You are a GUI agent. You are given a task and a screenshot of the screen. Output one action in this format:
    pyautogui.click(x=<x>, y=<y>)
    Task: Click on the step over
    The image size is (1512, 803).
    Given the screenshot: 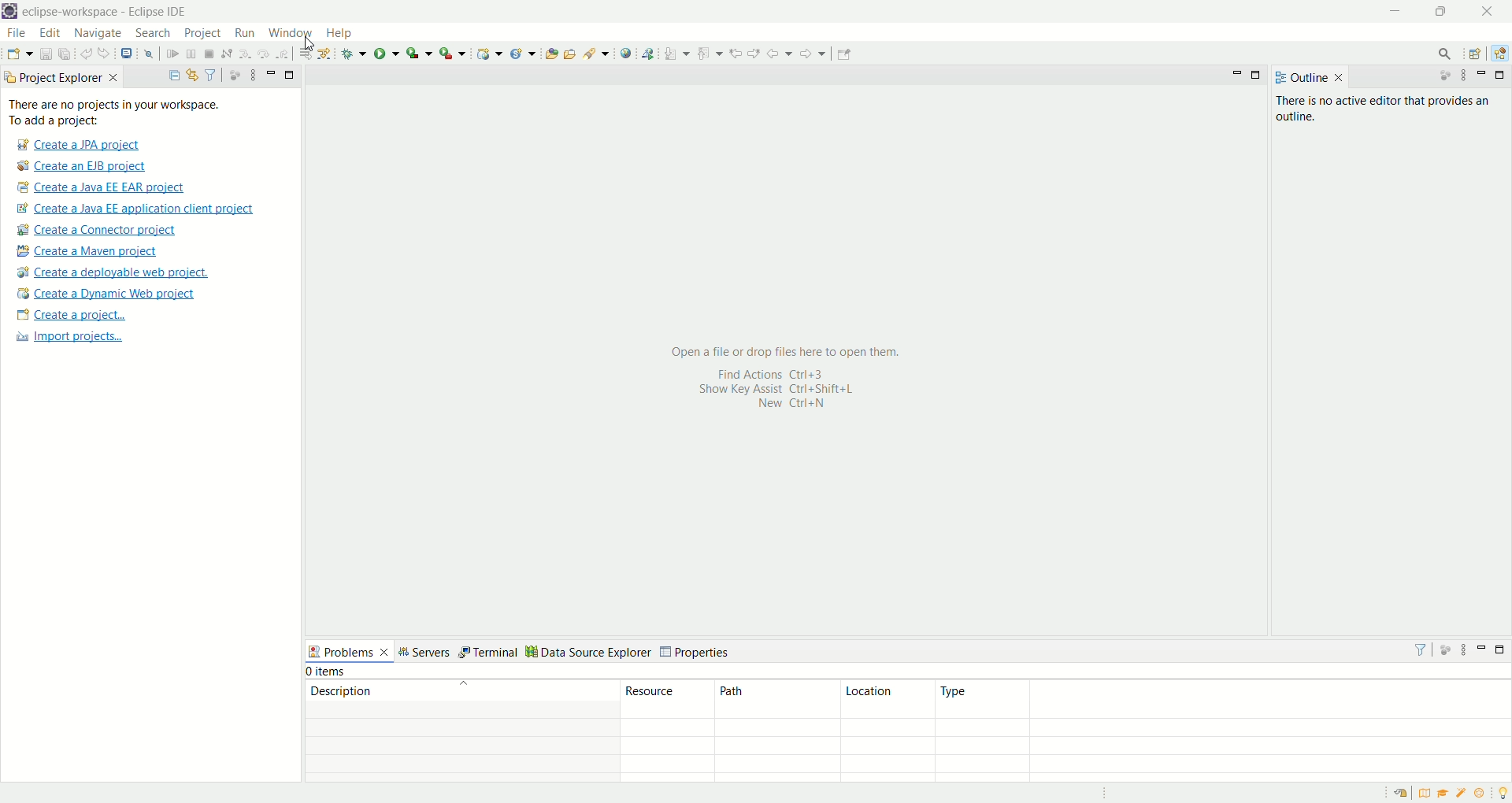 What is the action you would take?
    pyautogui.click(x=261, y=54)
    